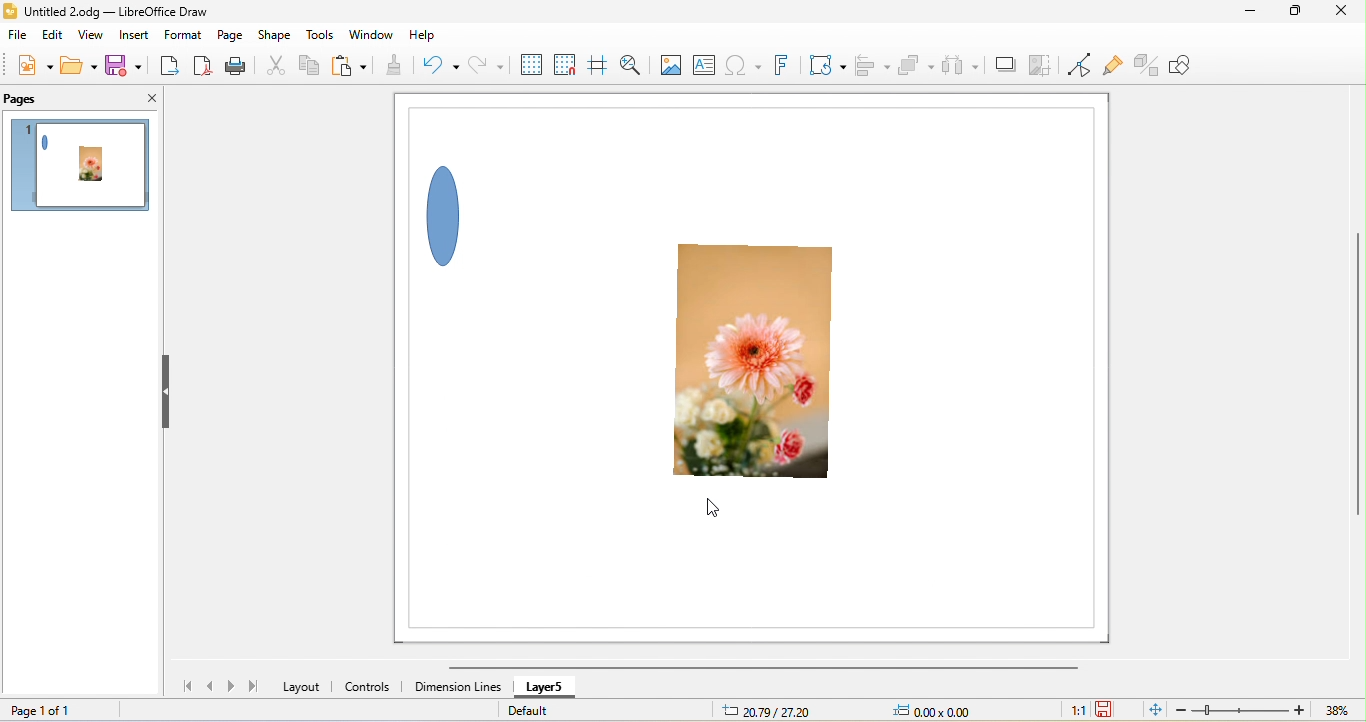 The height and width of the screenshot is (722, 1366). What do you see at coordinates (817, 65) in the screenshot?
I see `transformation` at bounding box center [817, 65].